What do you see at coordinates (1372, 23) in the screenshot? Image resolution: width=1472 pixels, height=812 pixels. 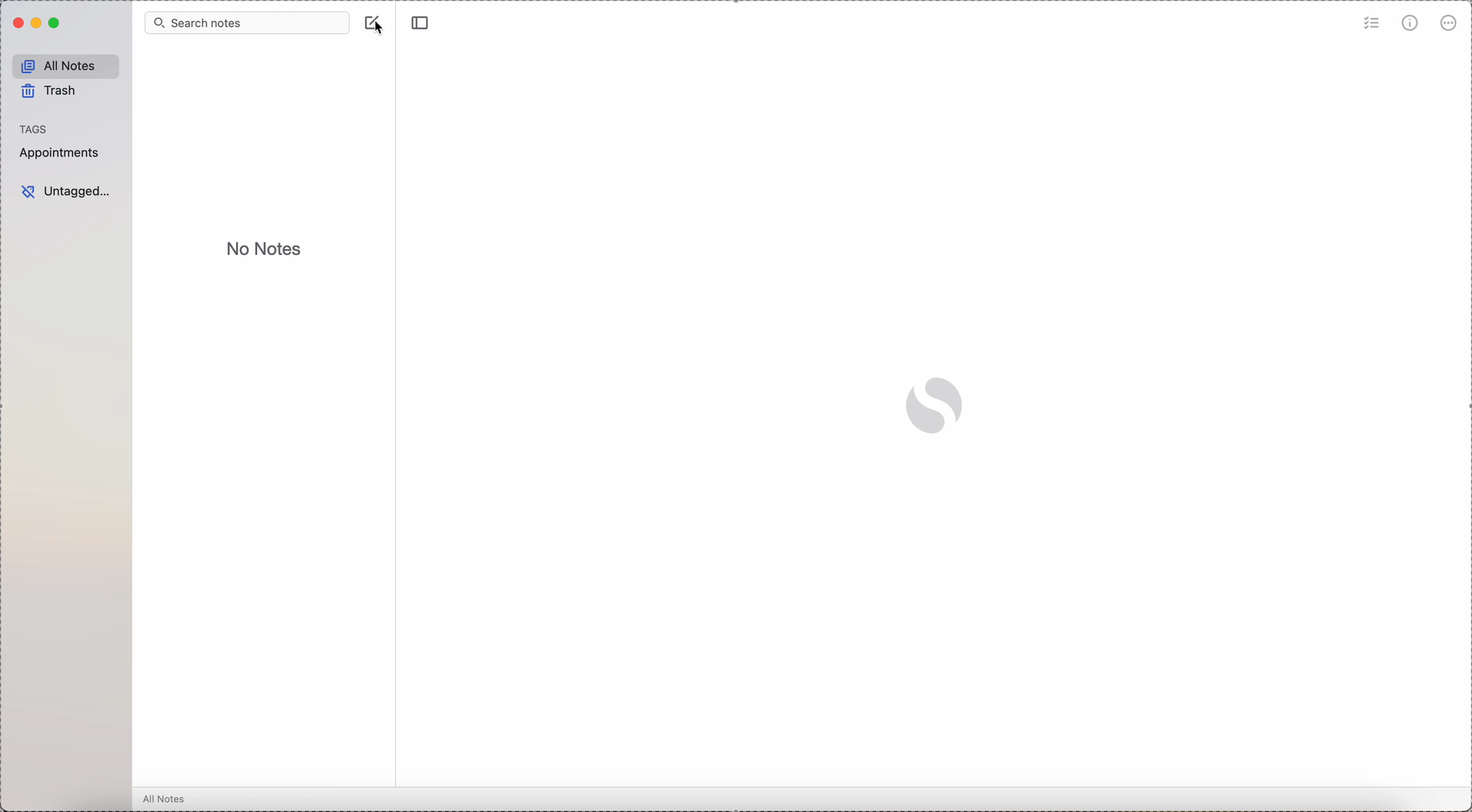 I see `check list` at bounding box center [1372, 23].